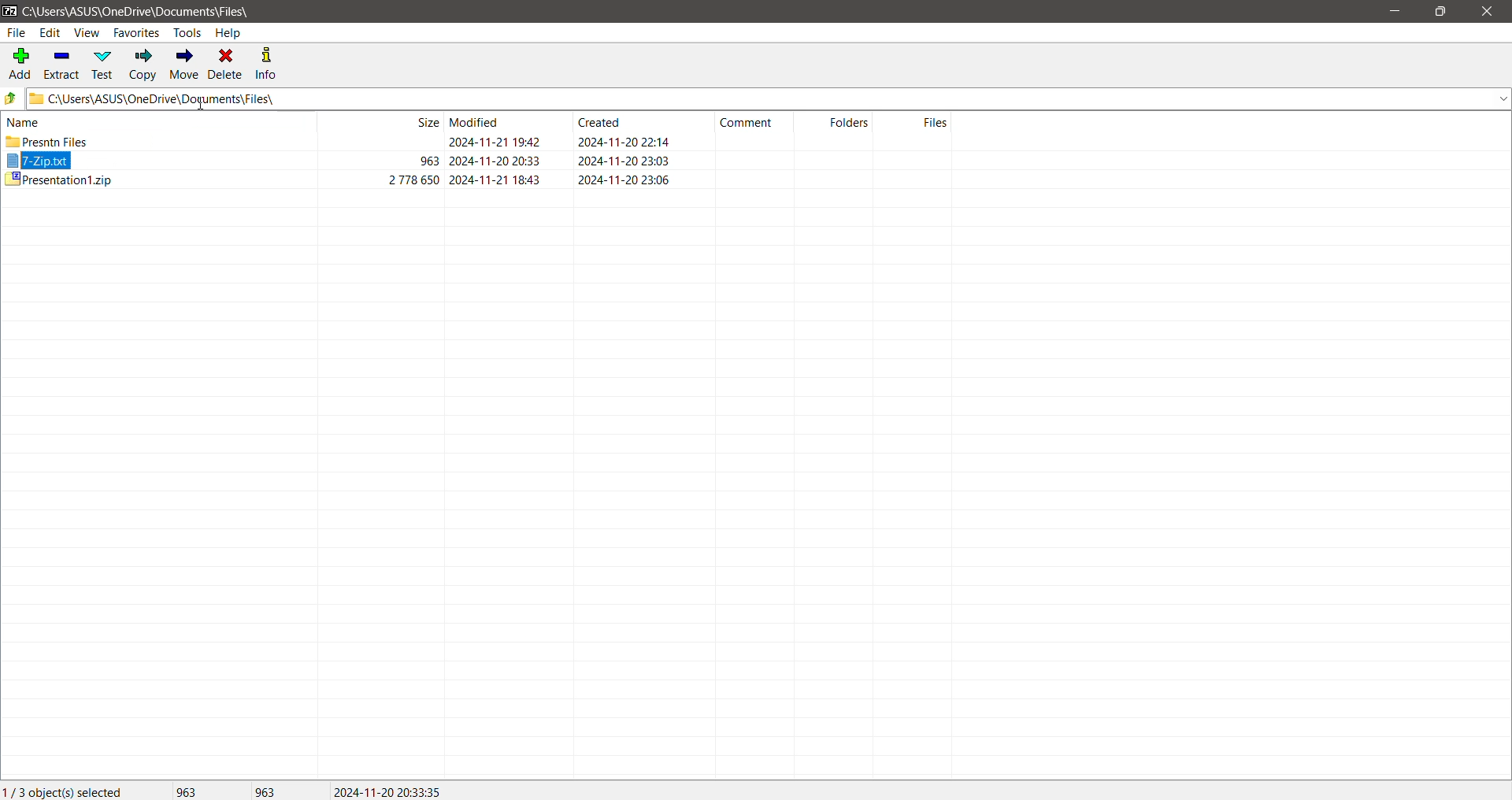 This screenshot has width=1512, height=800. I want to click on Delete, so click(227, 64).